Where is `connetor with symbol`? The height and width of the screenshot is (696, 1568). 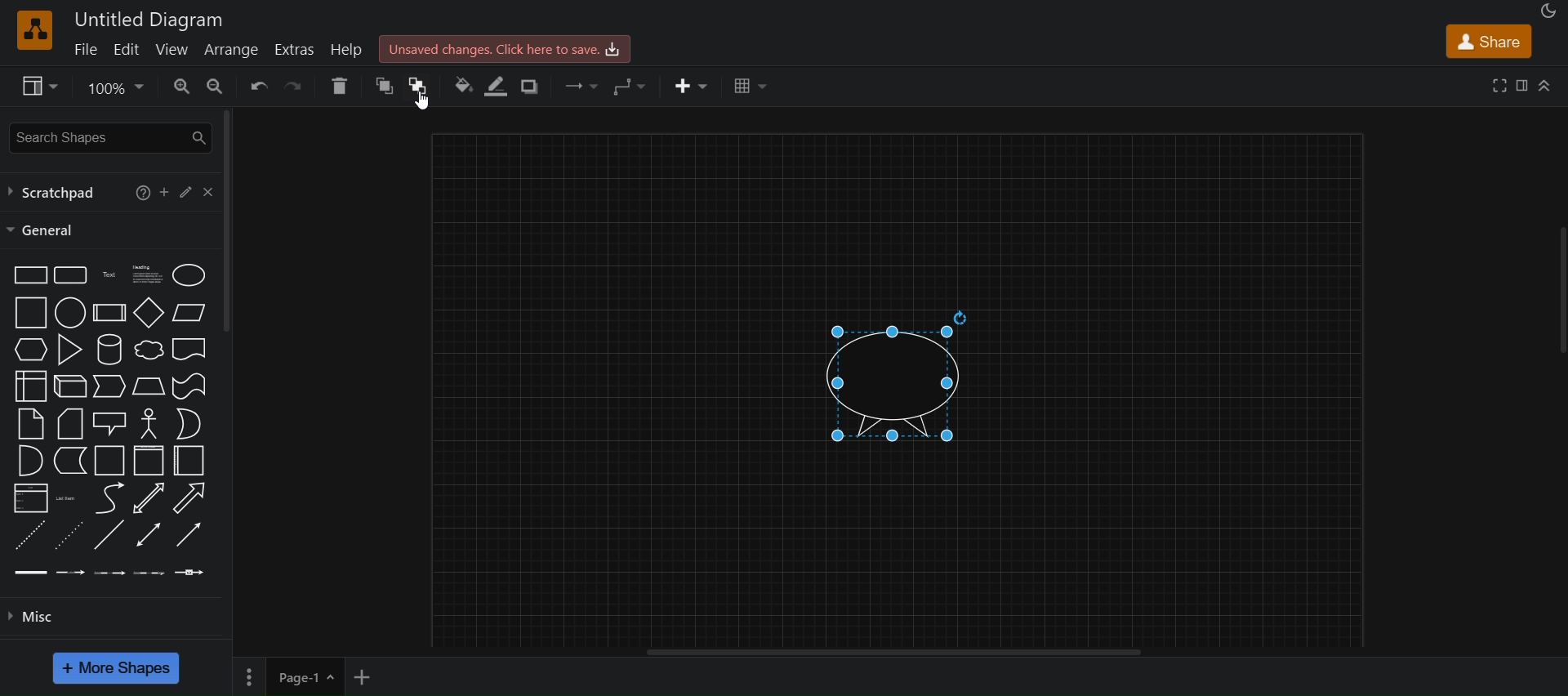
connetor with symbol is located at coordinates (192, 572).